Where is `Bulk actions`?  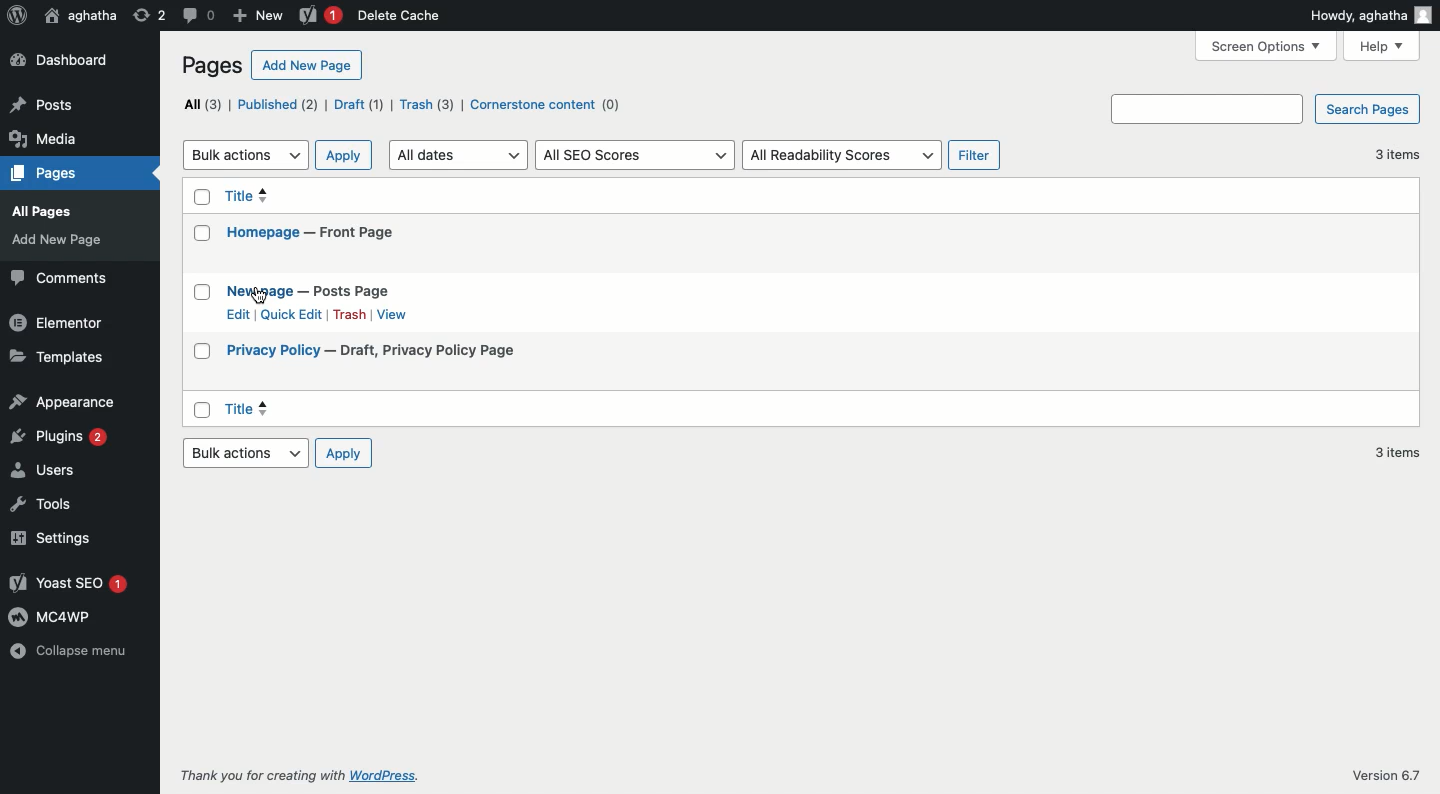 Bulk actions is located at coordinates (242, 453).